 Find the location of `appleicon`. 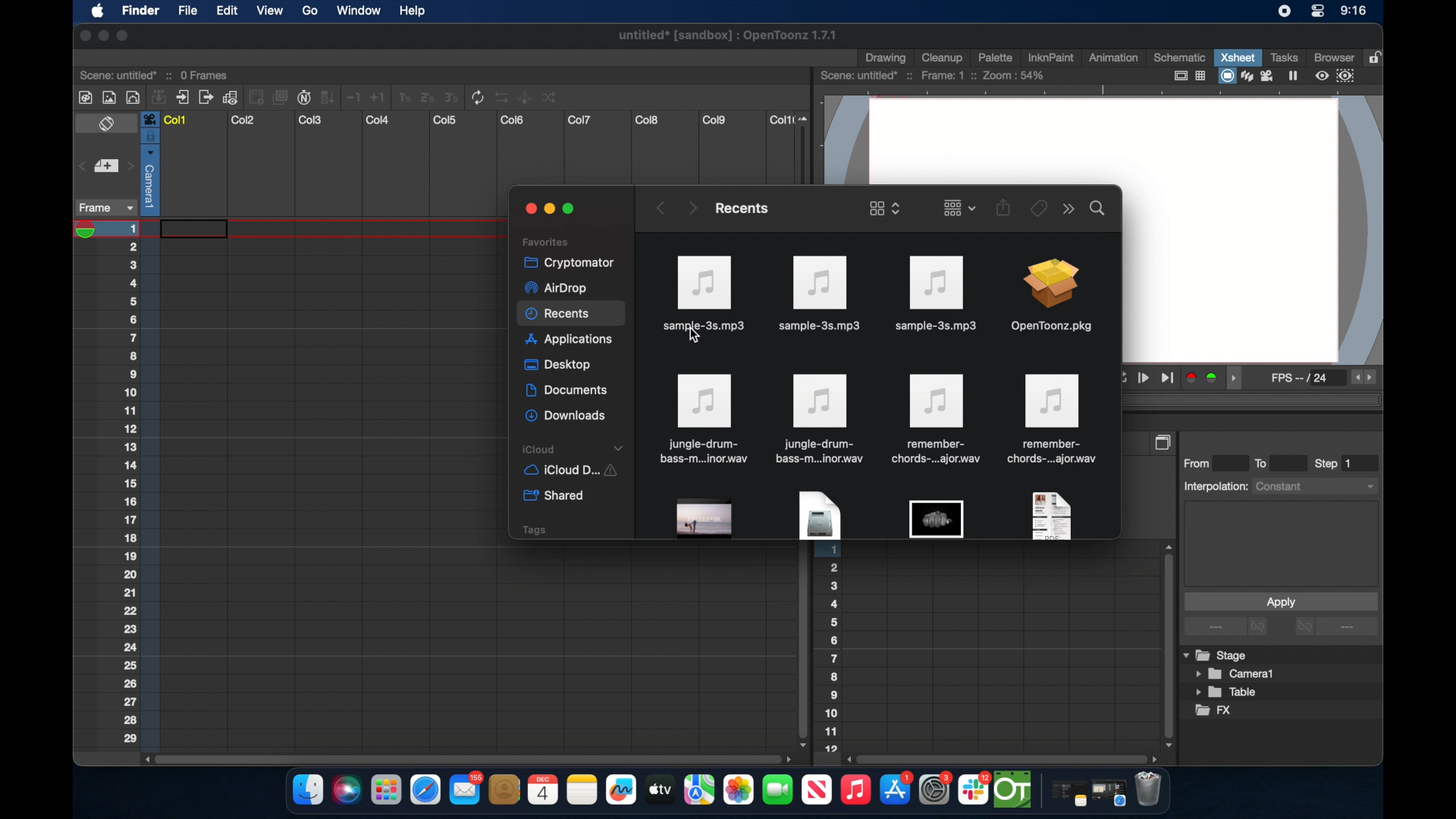

appleicon is located at coordinates (97, 12).